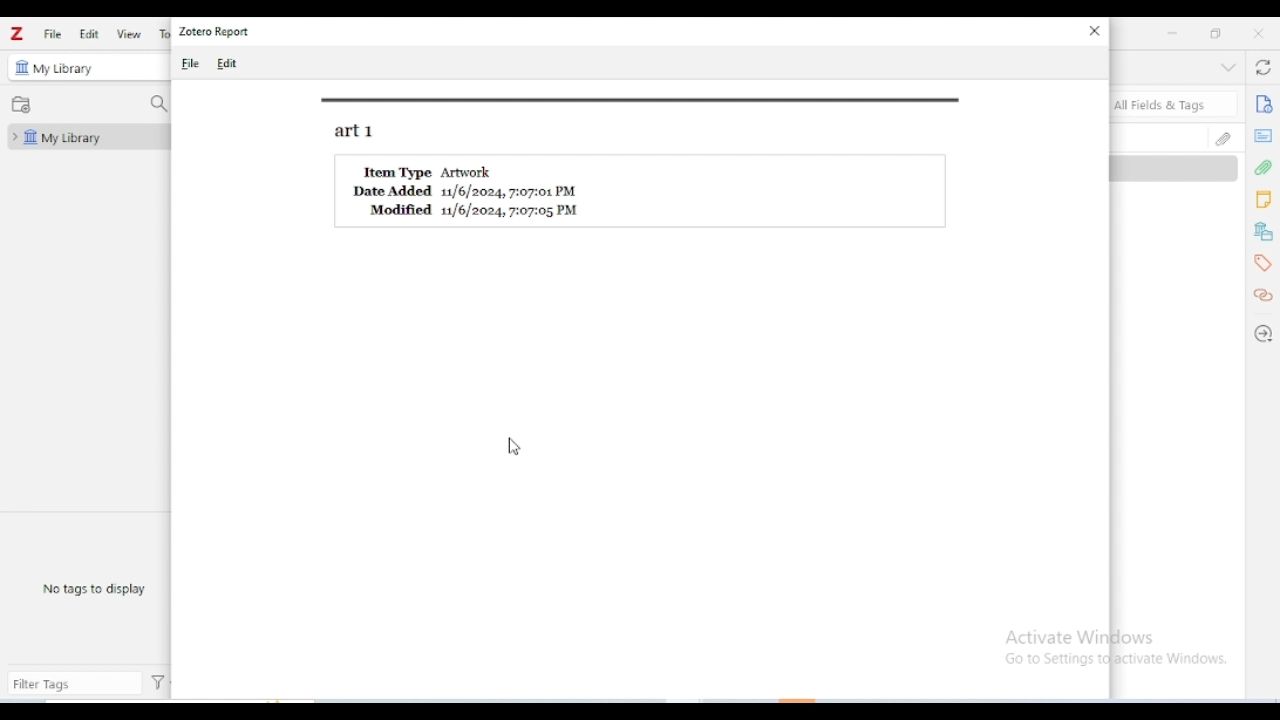 The image size is (1280, 720). I want to click on Date Added 11/6/2024, 7:07:01 PM, so click(467, 192).